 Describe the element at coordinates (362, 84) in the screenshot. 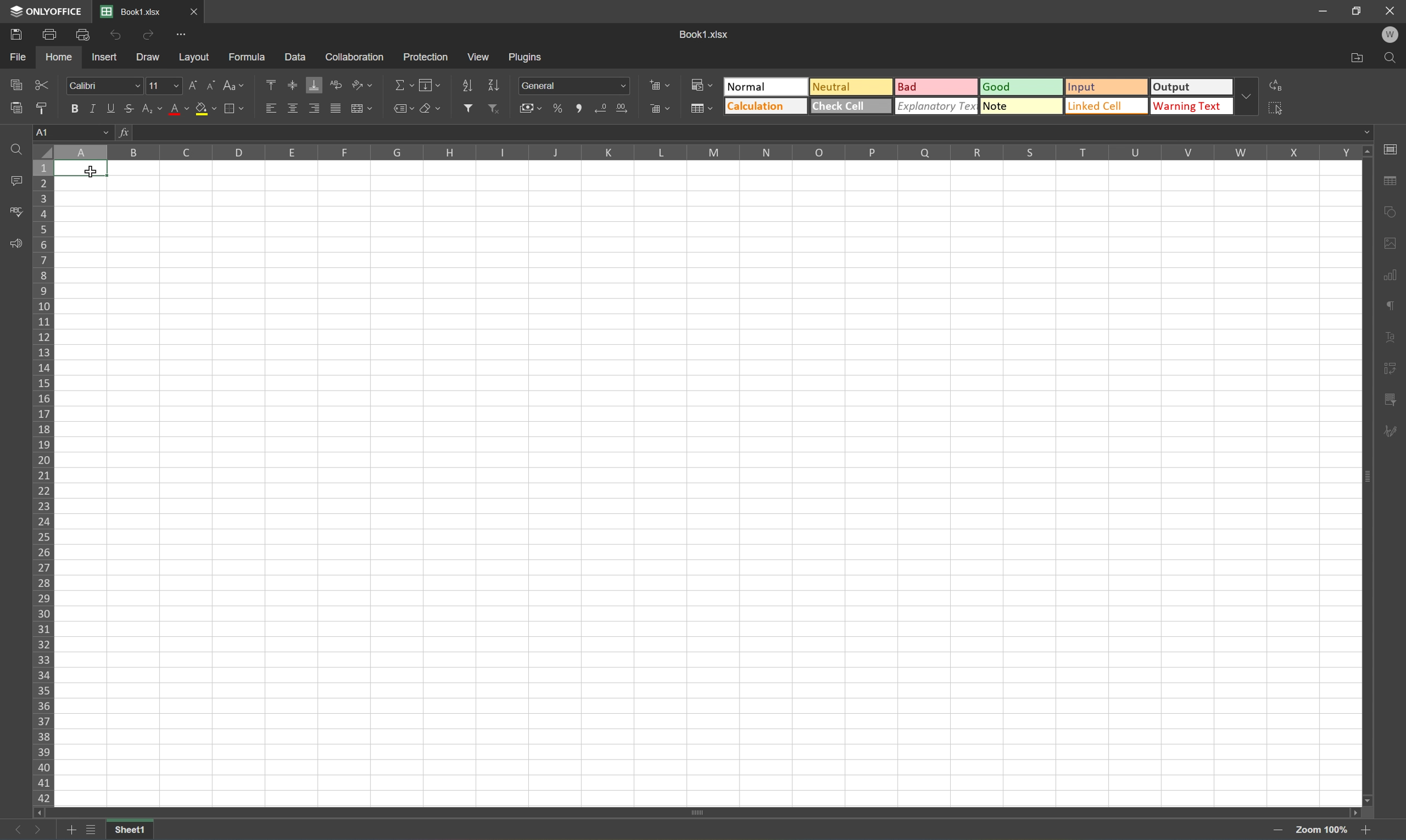

I see `Orientation` at that location.